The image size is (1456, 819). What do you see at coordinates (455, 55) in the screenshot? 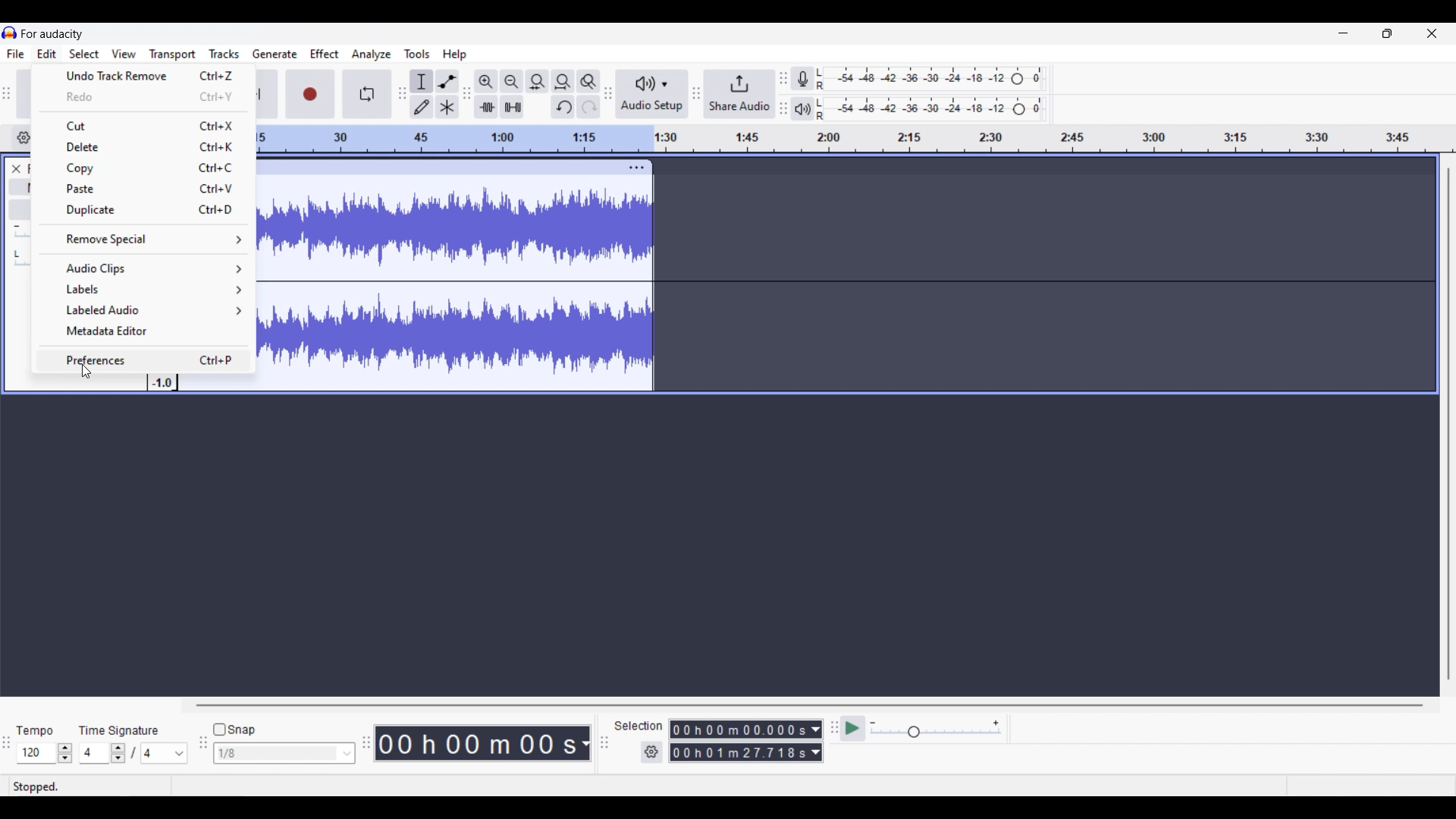
I see `Help menu` at bounding box center [455, 55].